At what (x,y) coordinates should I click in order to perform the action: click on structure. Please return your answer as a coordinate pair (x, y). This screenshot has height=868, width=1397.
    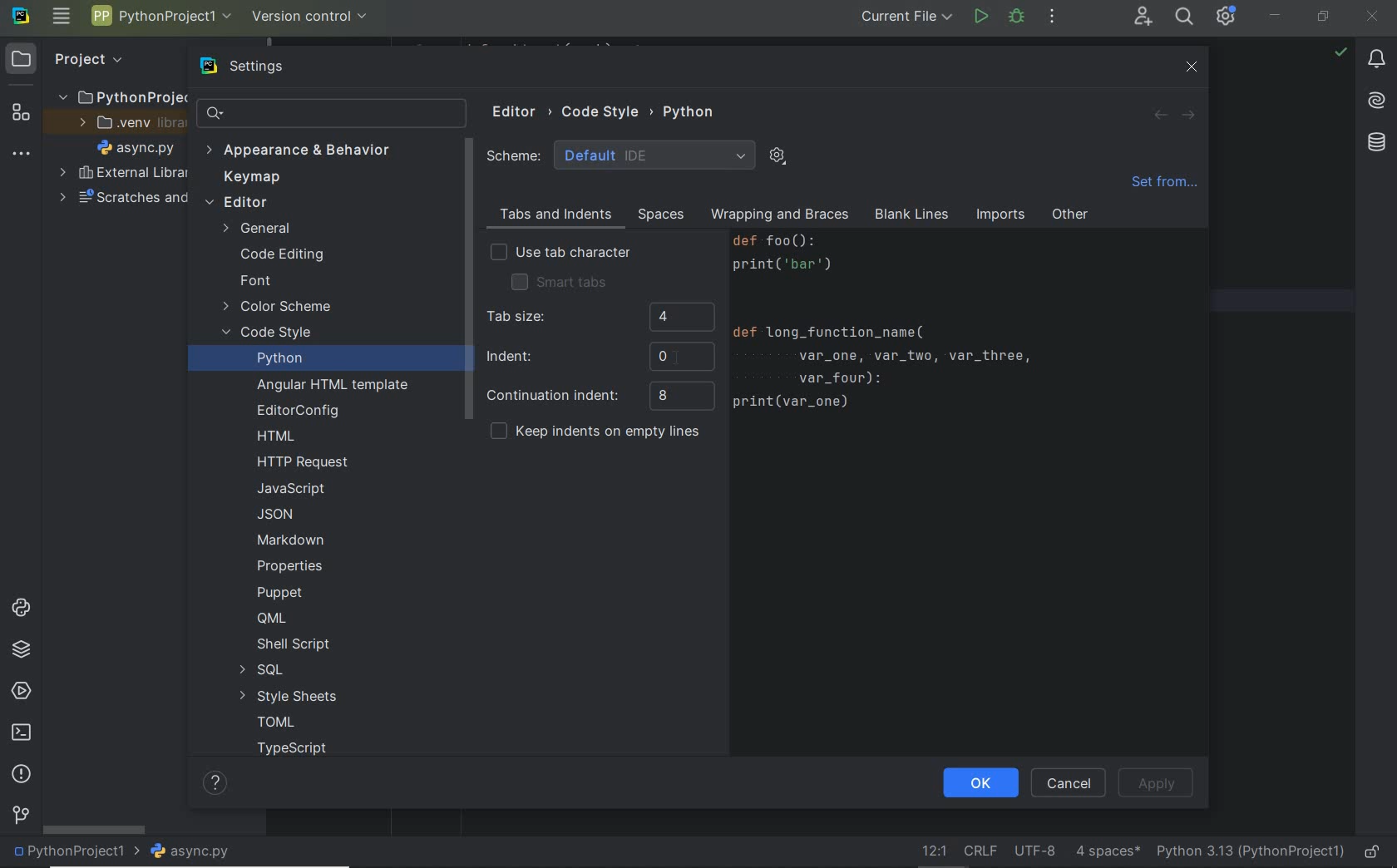
    Looking at the image, I should click on (19, 115).